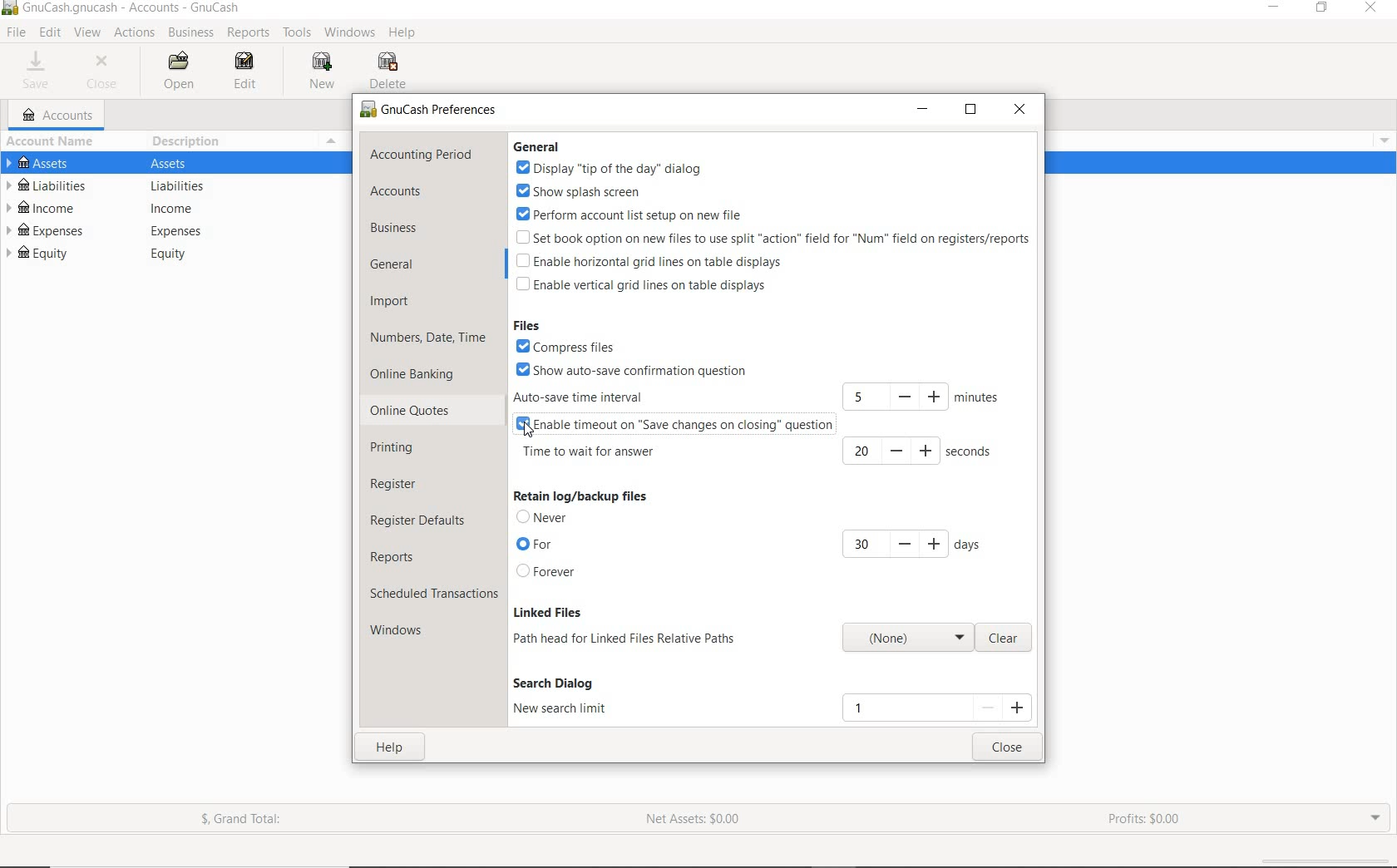 This screenshot has height=868, width=1397. What do you see at coordinates (919, 394) in the screenshot?
I see `NUMBER OF MINUTE UNTIL SAVING DATA` at bounding box center [919, 394].